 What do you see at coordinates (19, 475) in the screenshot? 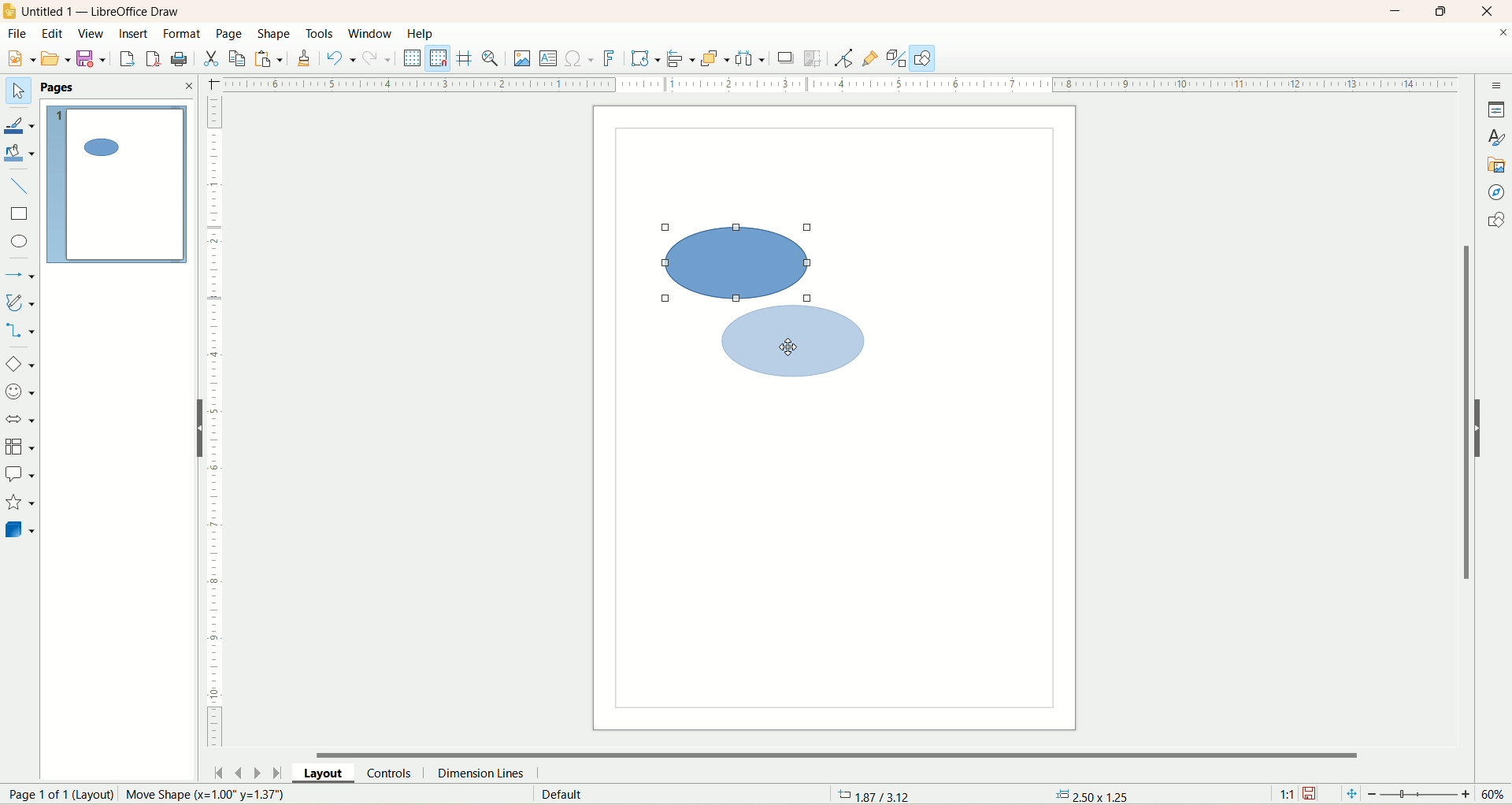
I see `callout` at bounding box center [19, 475].